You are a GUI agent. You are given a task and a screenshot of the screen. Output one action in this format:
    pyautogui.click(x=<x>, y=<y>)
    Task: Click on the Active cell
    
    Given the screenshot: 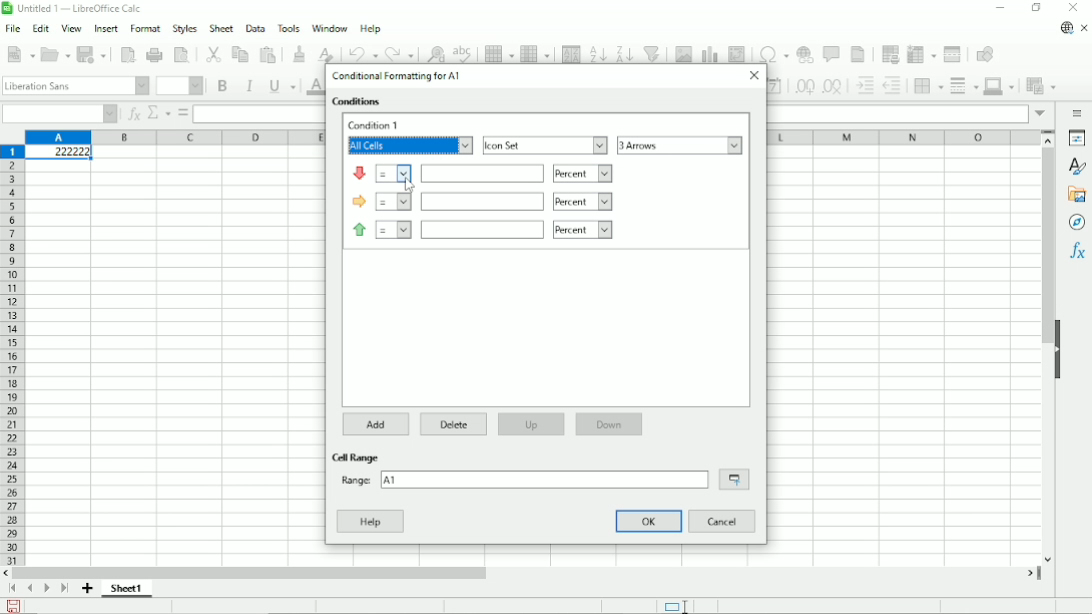 What is the action you would take?
    pyautogui.click(x=58, y=154)
    